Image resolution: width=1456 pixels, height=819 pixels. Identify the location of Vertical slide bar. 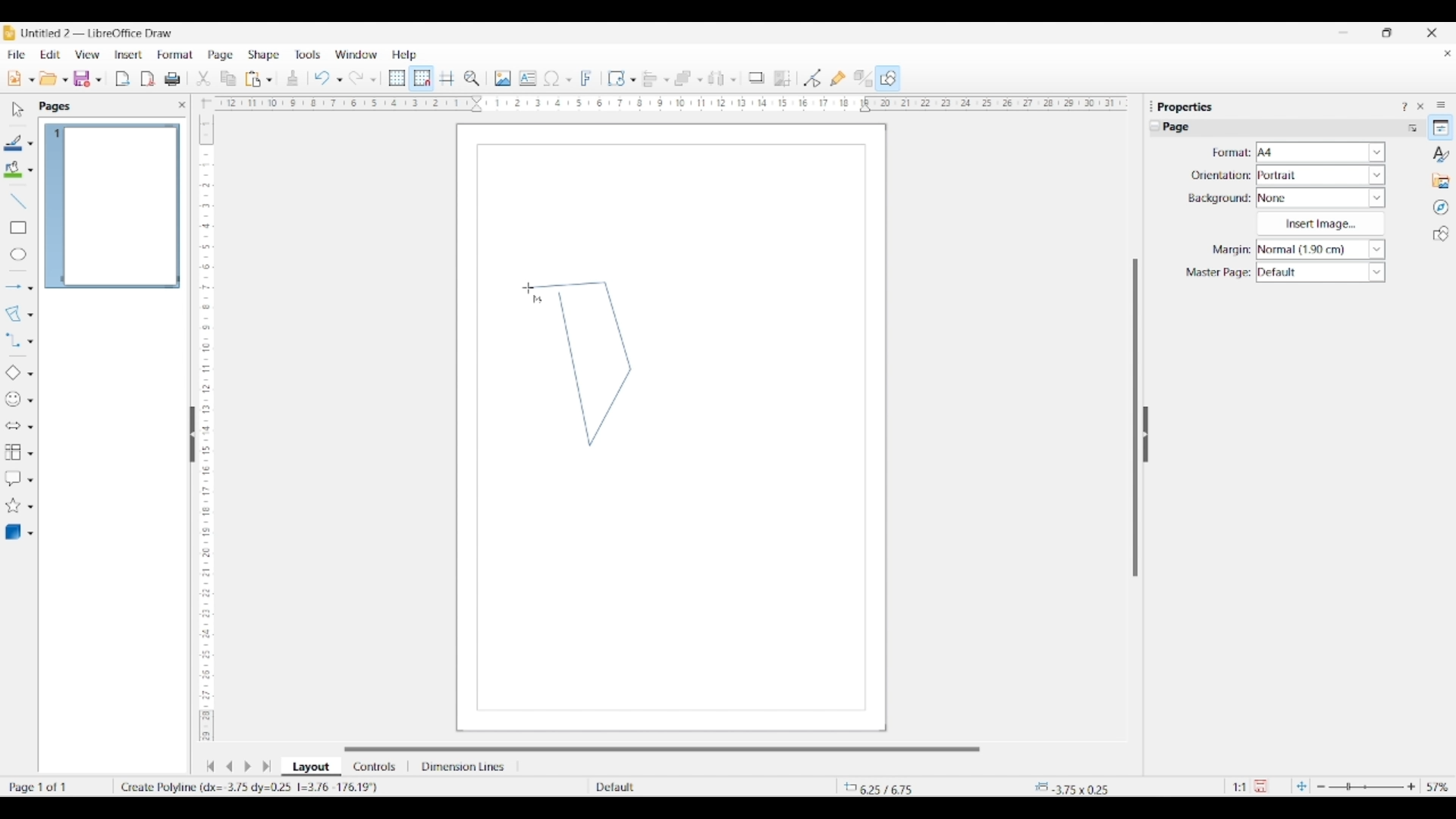
(1135, 418).